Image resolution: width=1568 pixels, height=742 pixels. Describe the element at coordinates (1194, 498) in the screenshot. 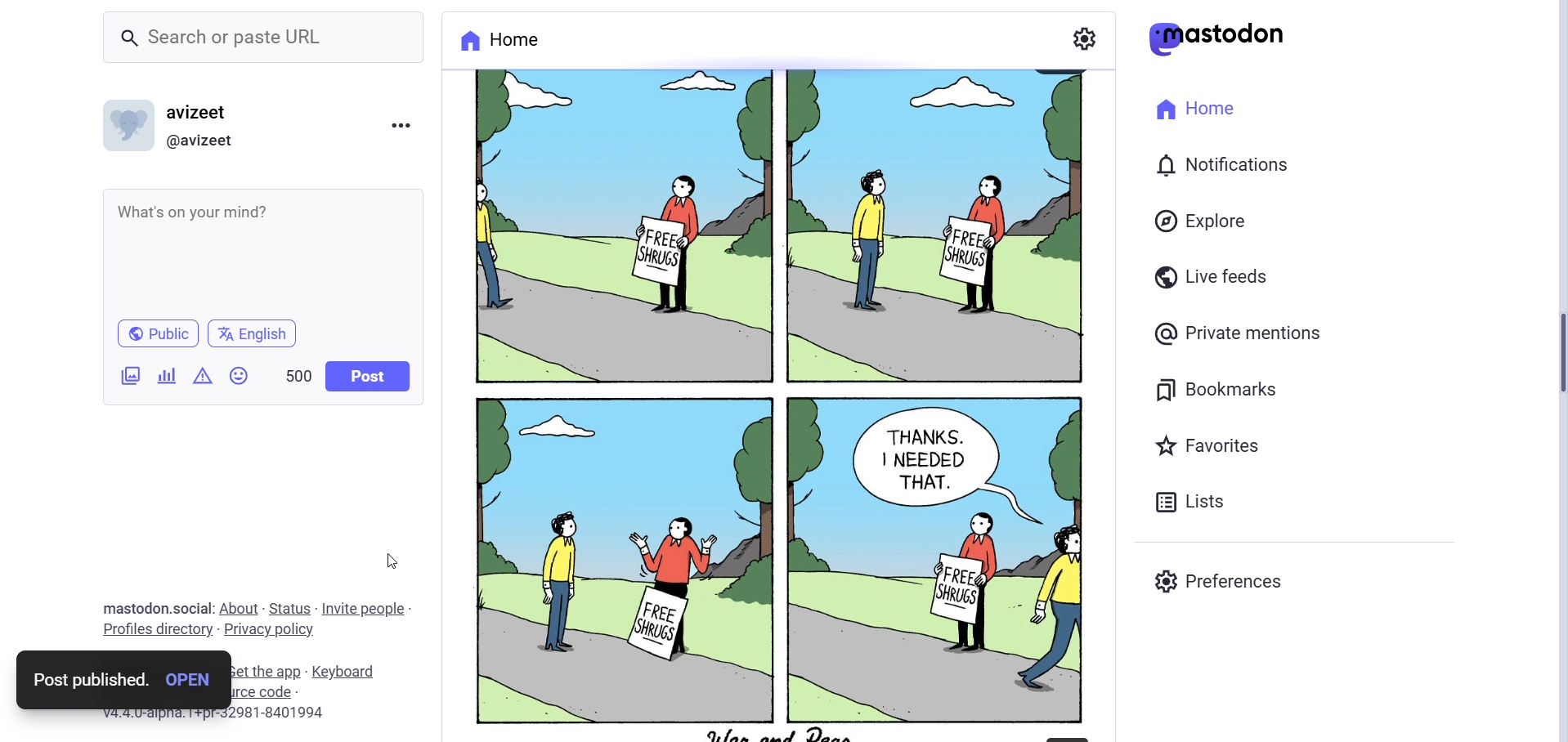

I see `Lists` at that location.